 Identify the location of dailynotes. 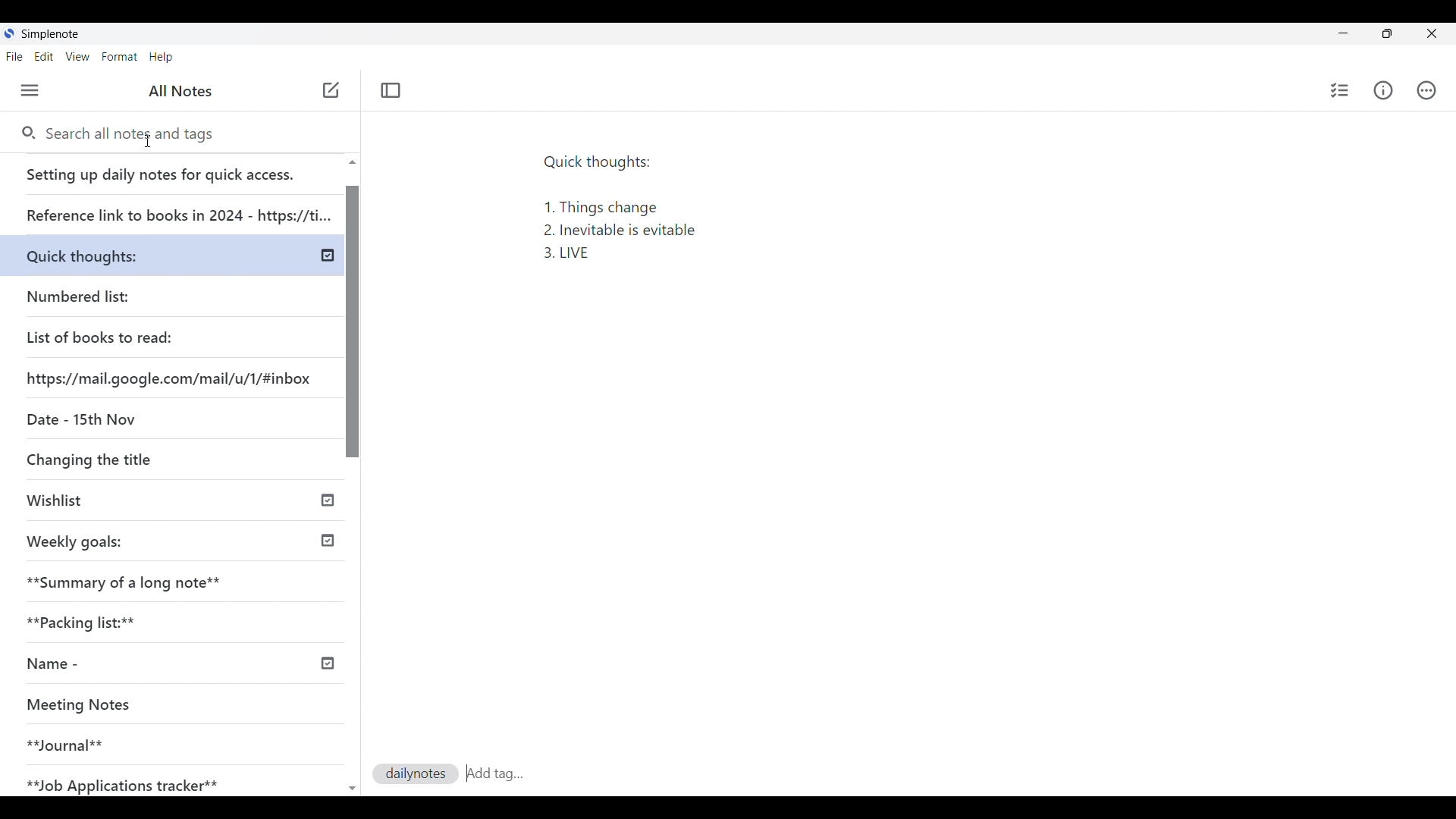
(416, 773).